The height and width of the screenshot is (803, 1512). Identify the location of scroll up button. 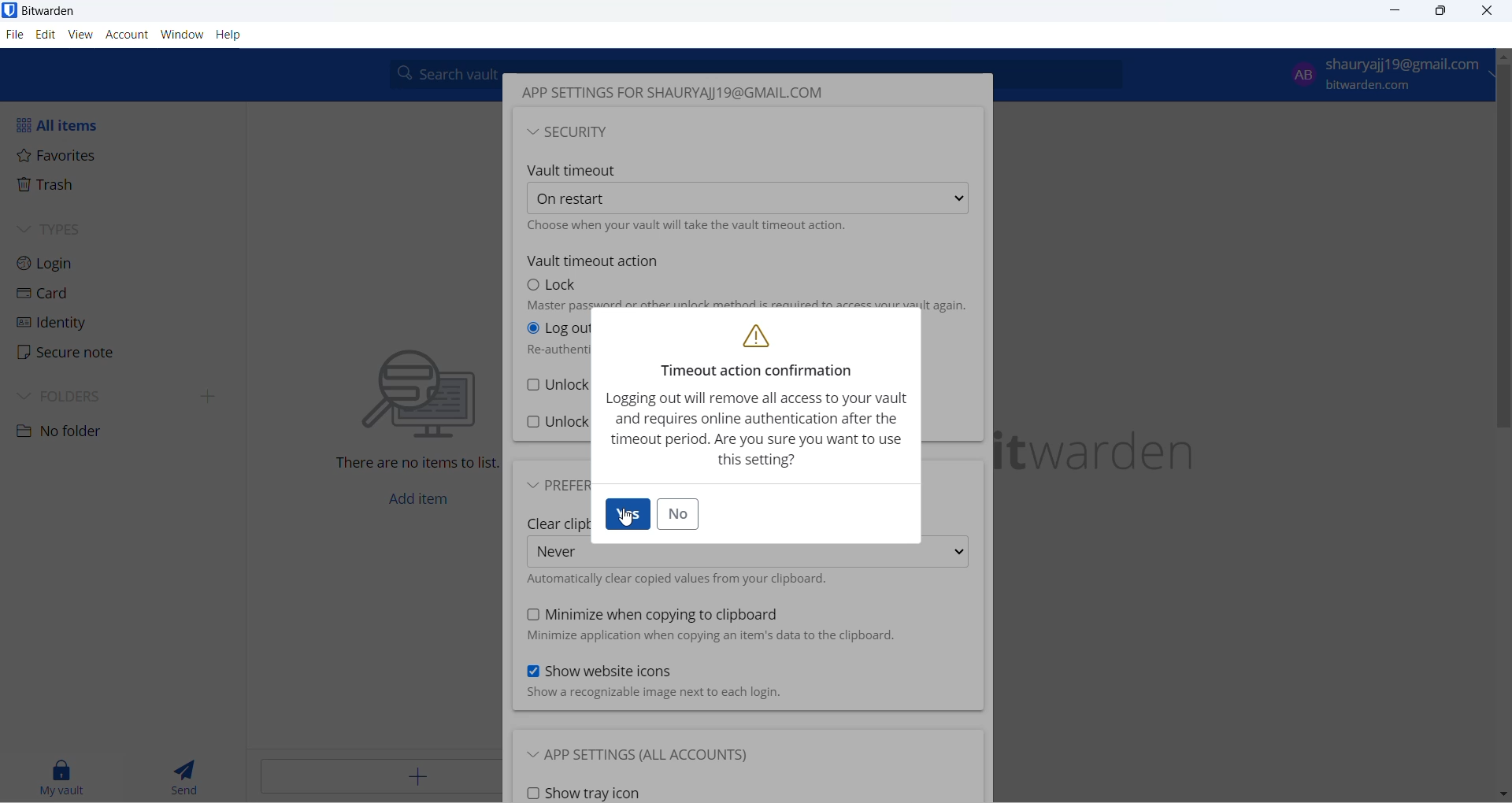
(1501, 57).